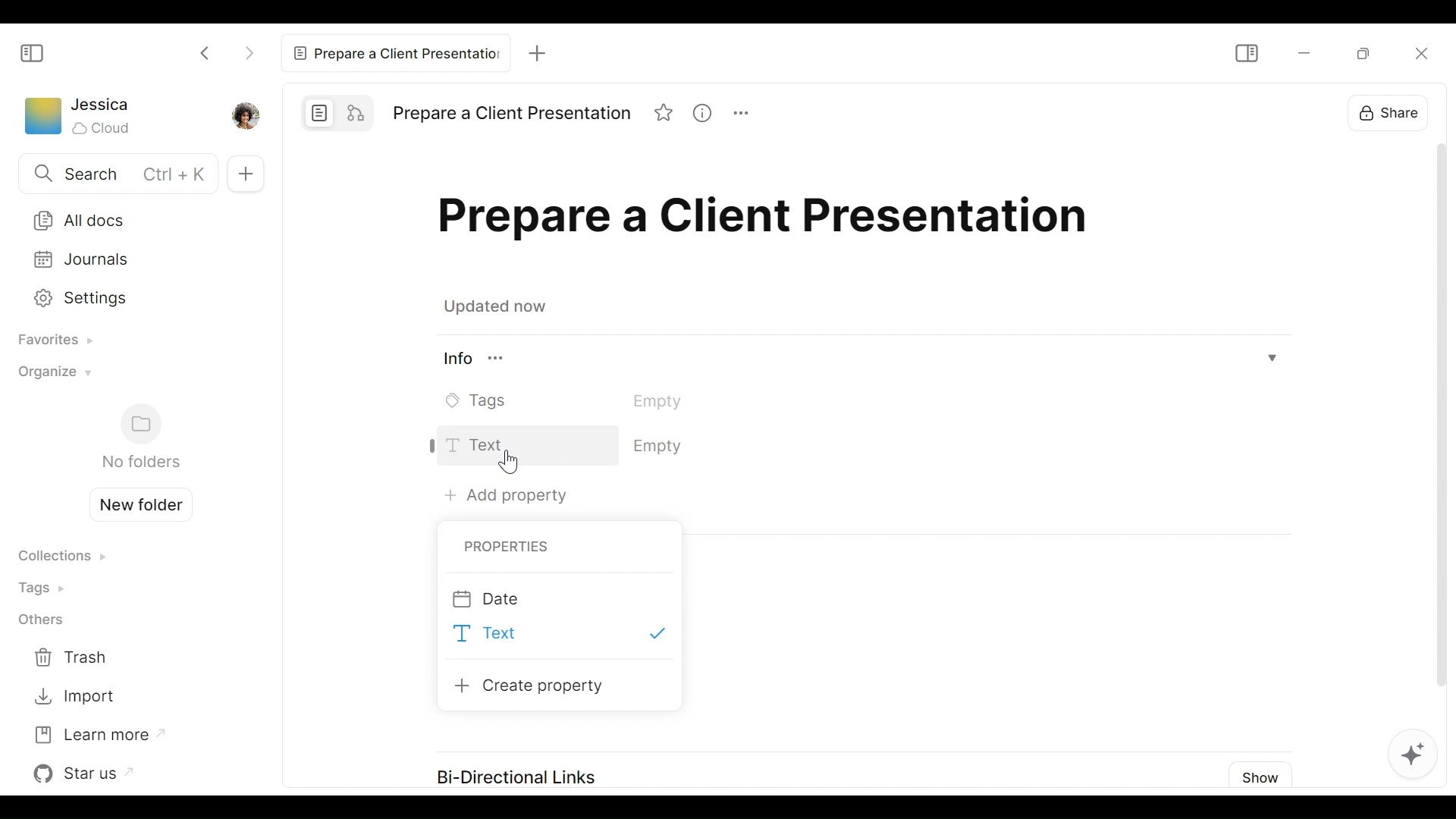  Describe the element at coordinates (504, 632) in the screenshot. I see `Text` at that location.